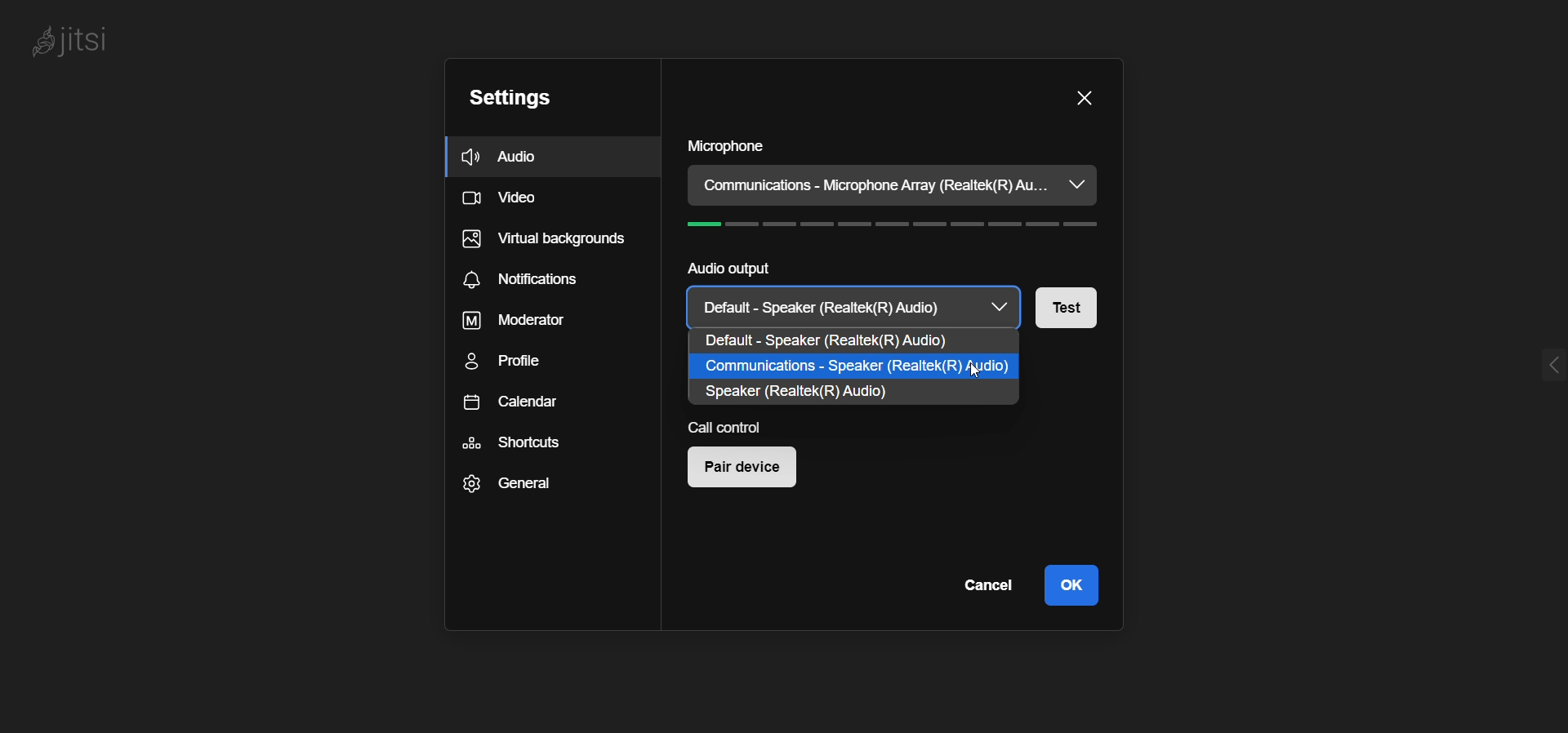 The height and width of the screenshot is (733, 1568). Describe the element at coordinates (73, 42) in the screenshot. I see `logo` at that location.